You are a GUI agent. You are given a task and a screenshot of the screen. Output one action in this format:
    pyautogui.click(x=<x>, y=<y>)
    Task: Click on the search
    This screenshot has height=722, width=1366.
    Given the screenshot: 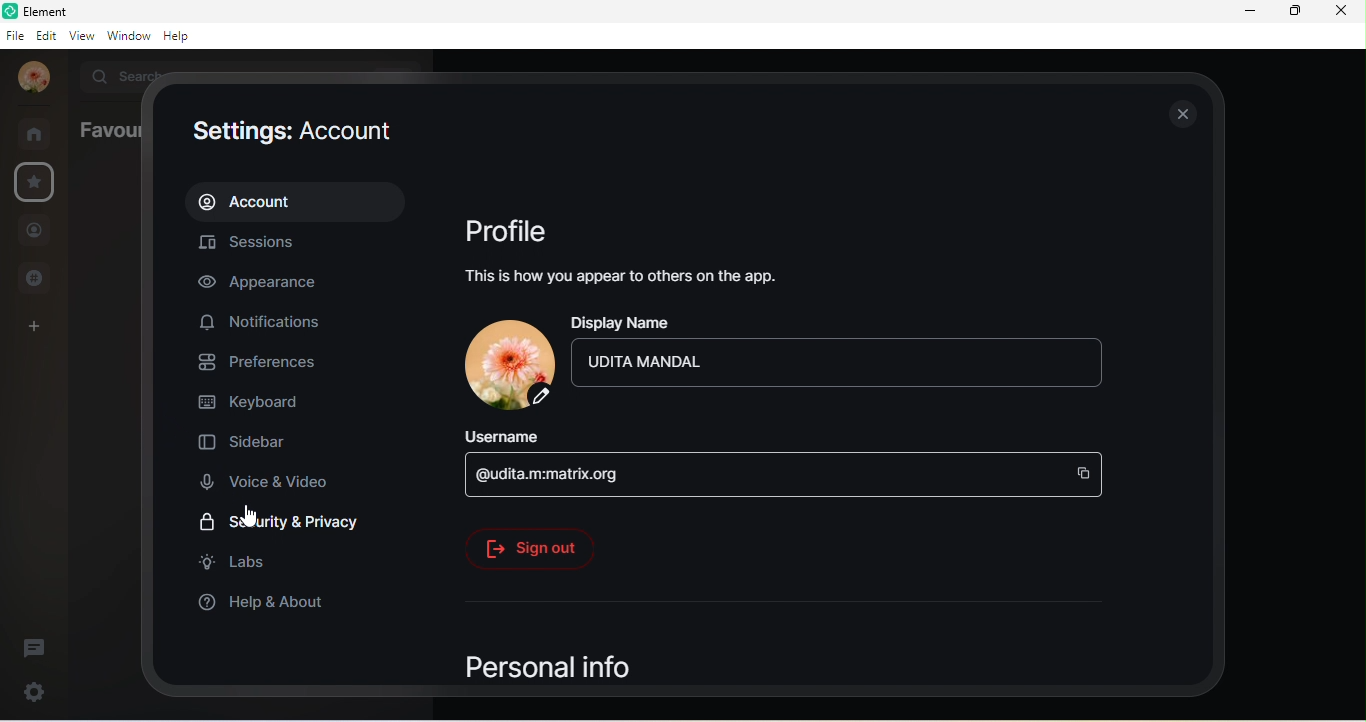 What is the action you would take?
    pyautogui.click(x=129, y=75)
    